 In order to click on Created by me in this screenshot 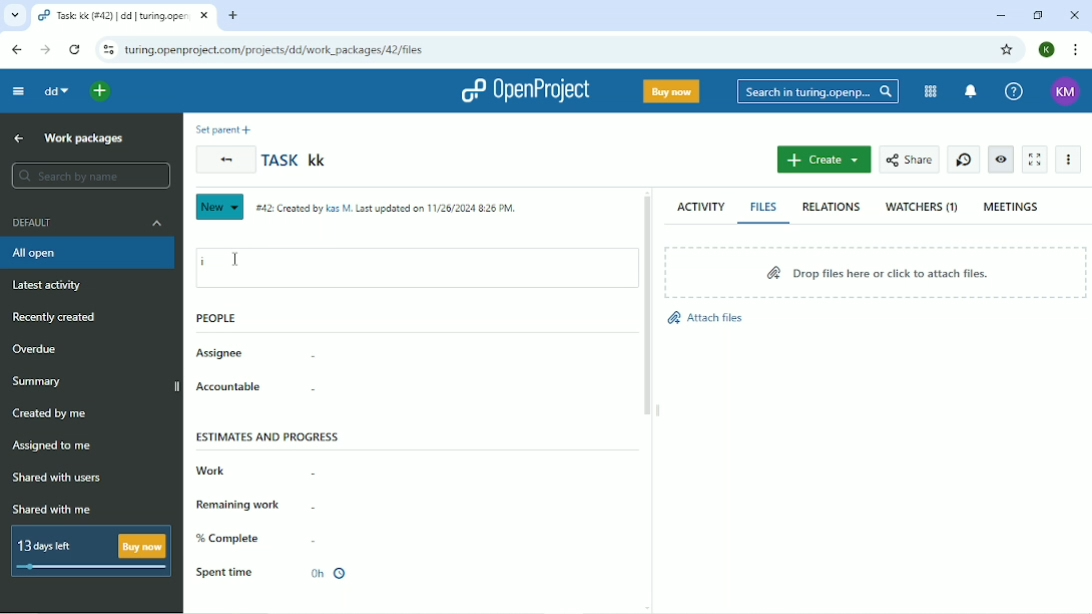, I will do `click(53, 413)`.